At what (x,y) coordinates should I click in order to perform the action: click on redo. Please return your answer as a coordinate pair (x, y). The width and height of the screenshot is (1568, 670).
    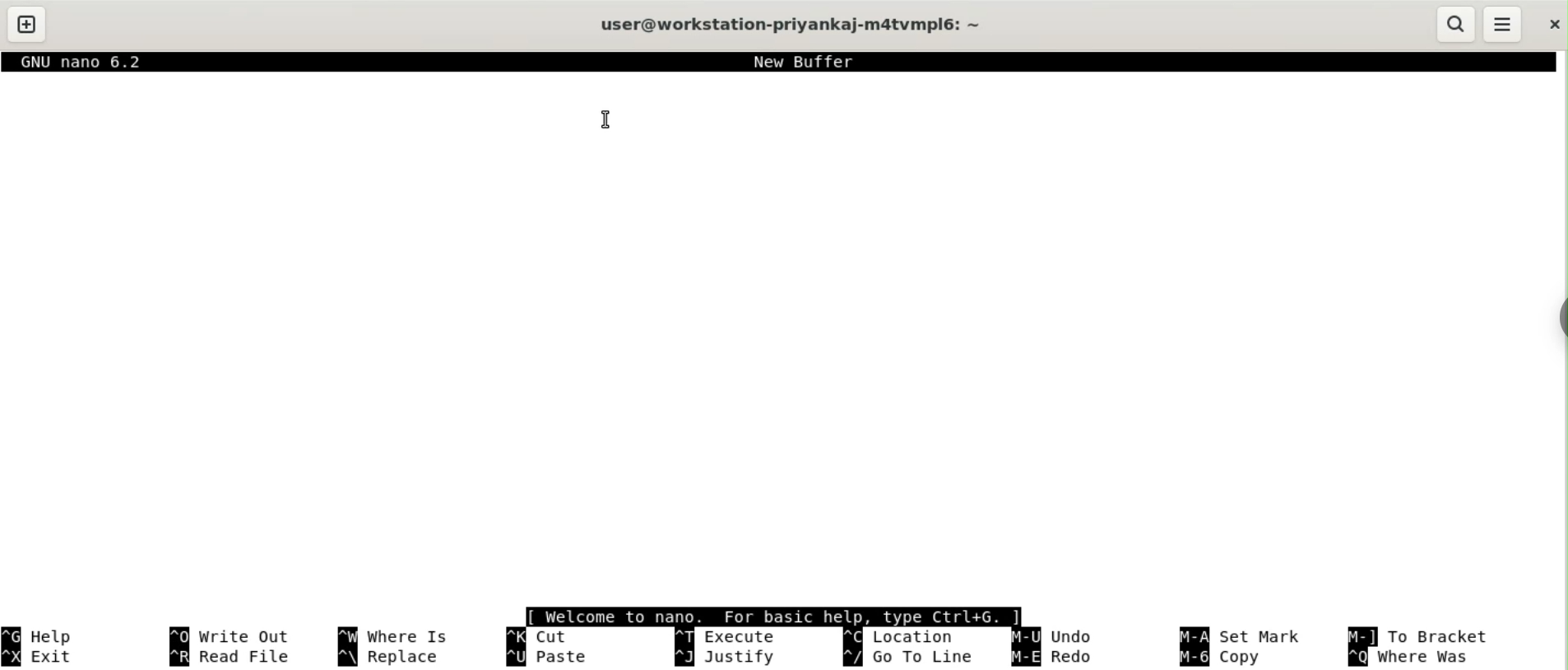
    Looking at the image, I should click on (1058, 658).